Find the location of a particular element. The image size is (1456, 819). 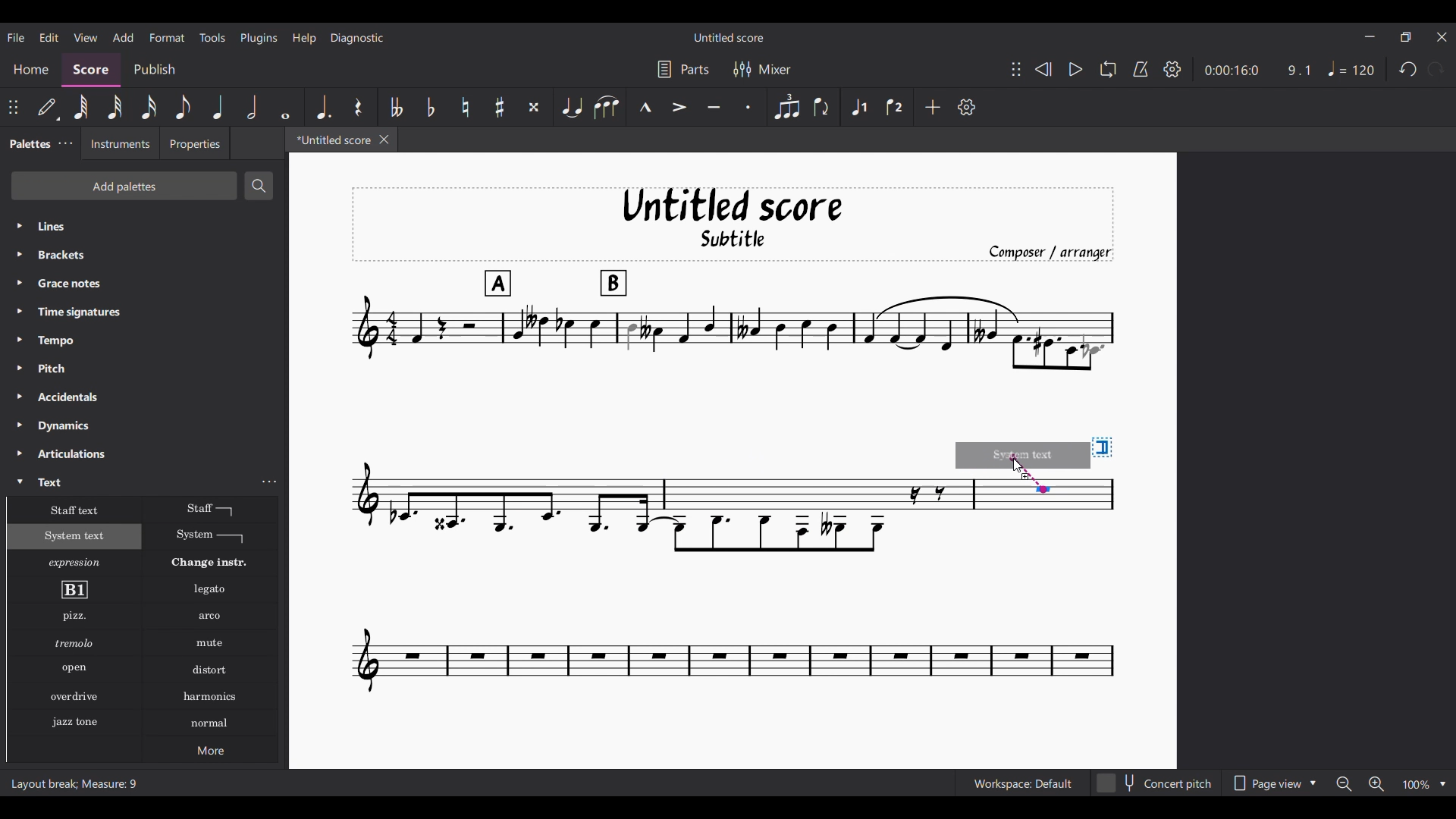

Metronome is located at coordinates (1141, 69).